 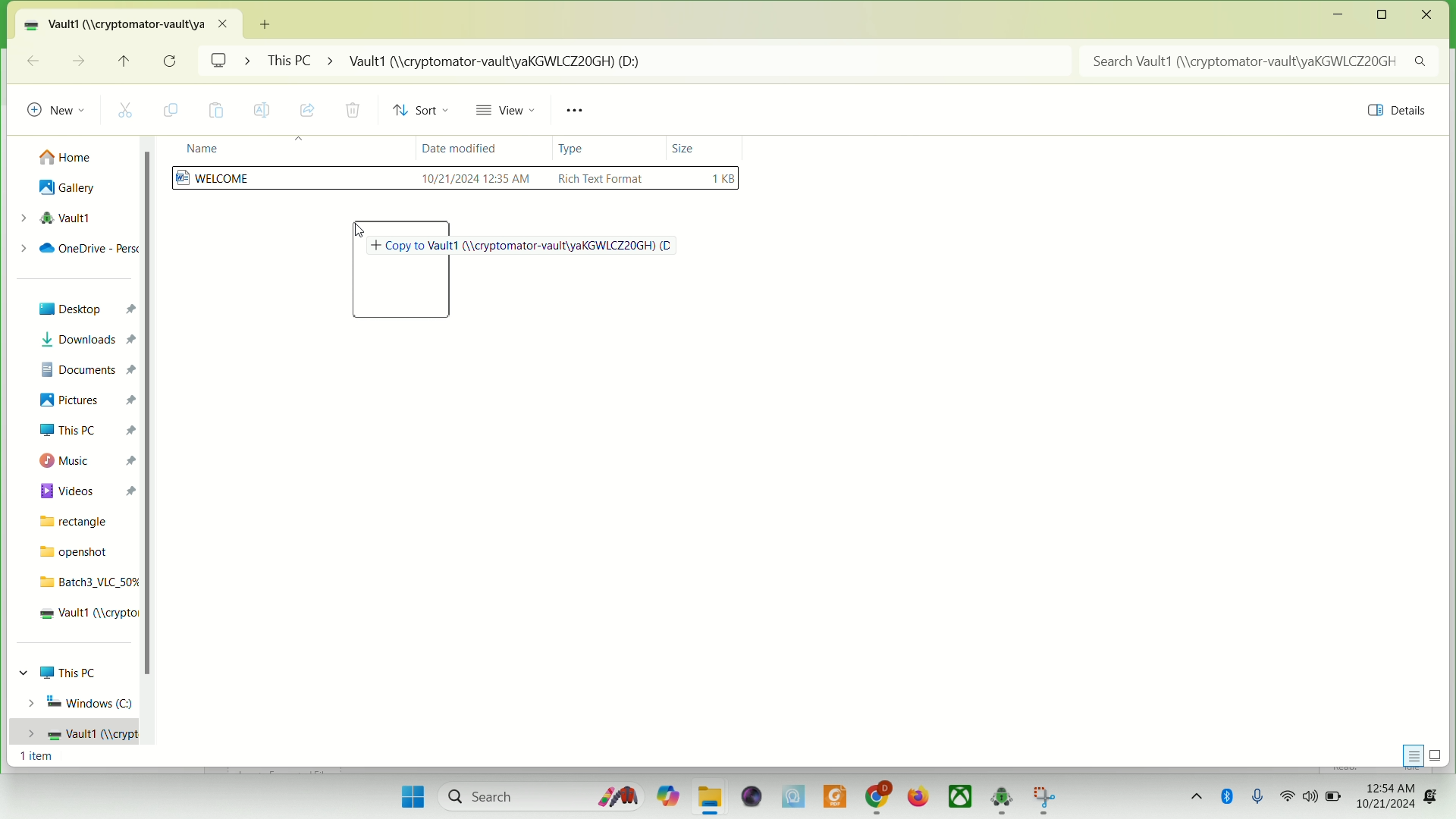 I want to click on delete, so click(x=352, y=111).